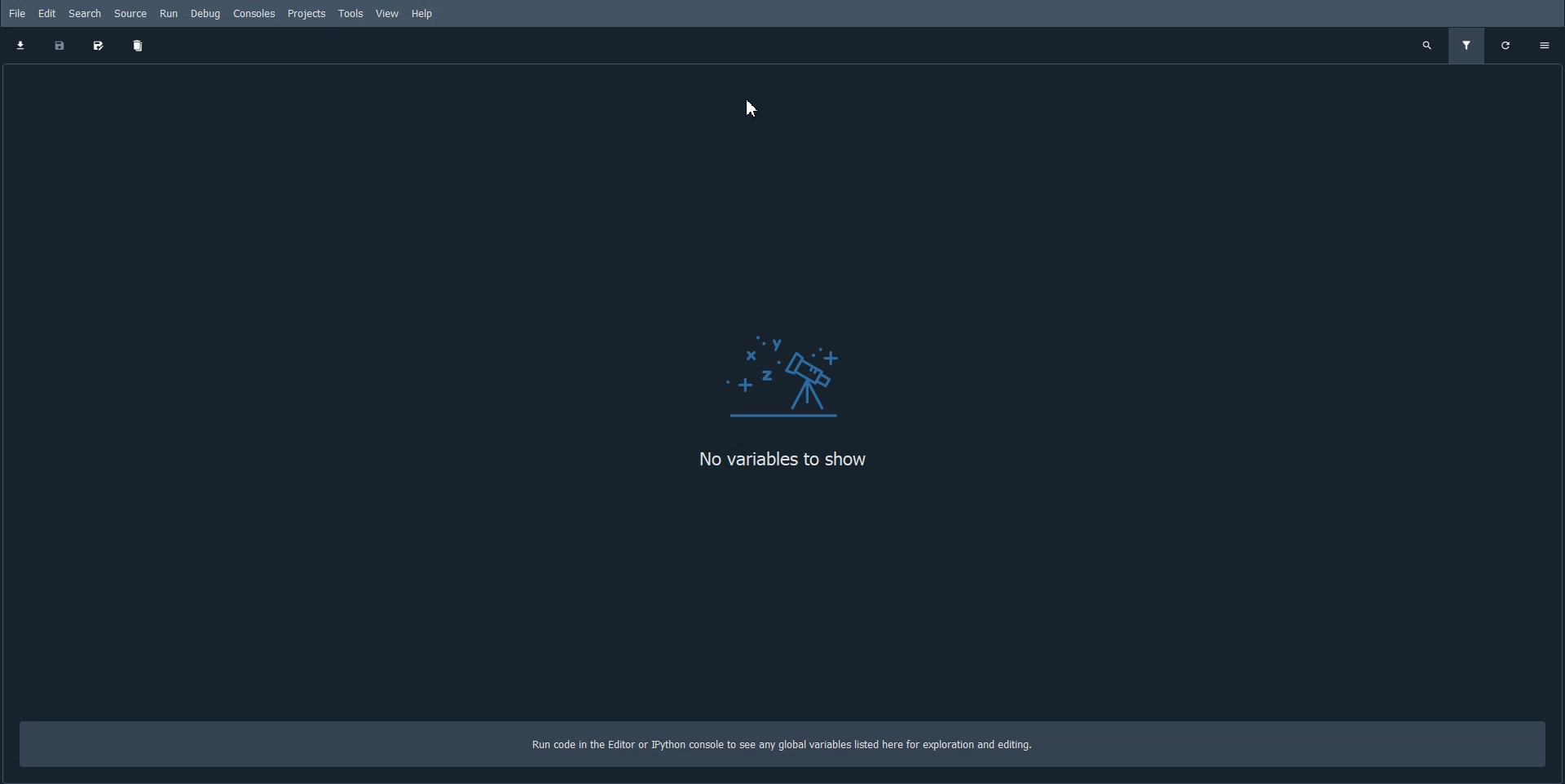 This screenshot has height=784, width=1565. Describe the element at coordinates (306, 13) in the screenshot. I see `Projects` at that location.